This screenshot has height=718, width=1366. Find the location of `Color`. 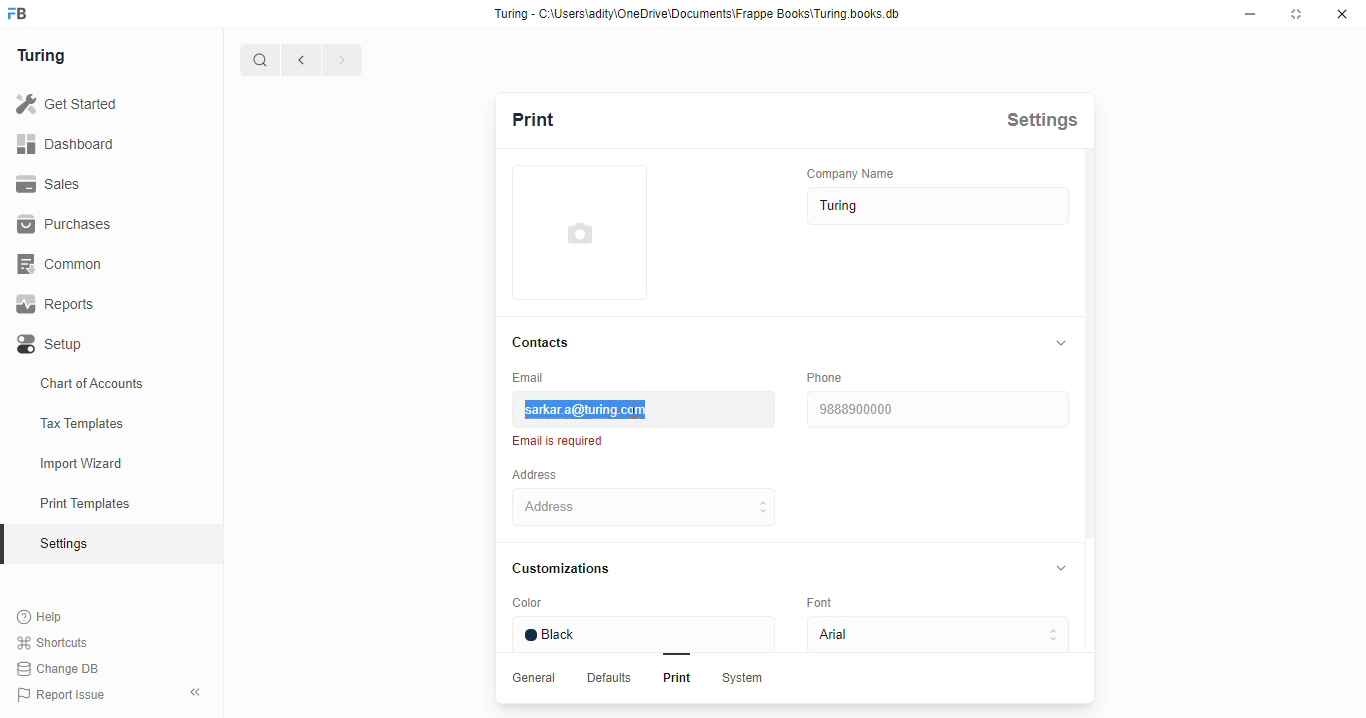

Color is located at coordinates (565, 604).